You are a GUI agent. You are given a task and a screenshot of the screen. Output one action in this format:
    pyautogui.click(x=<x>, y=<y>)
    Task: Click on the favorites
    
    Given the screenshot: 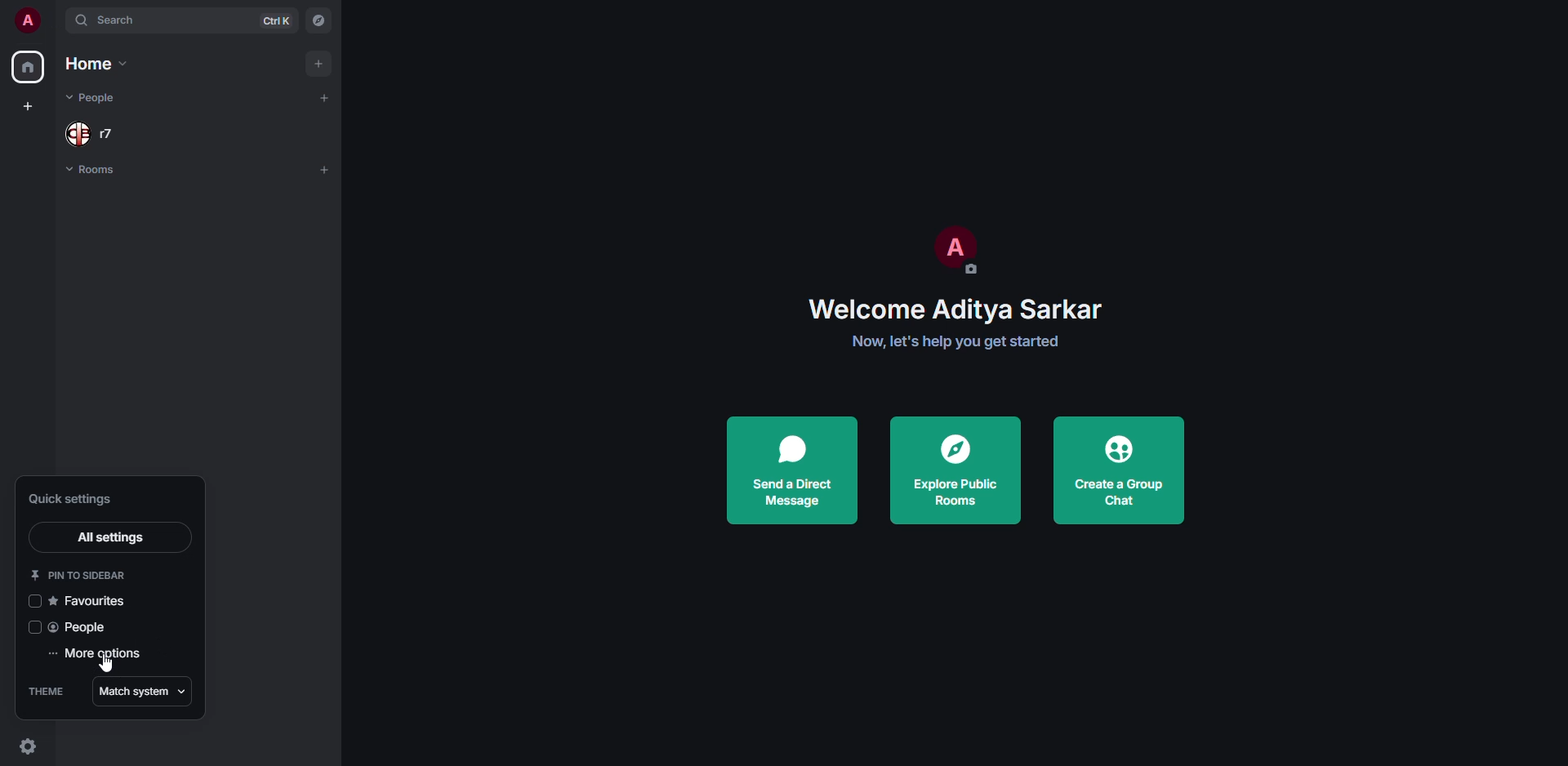 What is the action you would take?
    pyautogui.click(x=90, y=599)
    